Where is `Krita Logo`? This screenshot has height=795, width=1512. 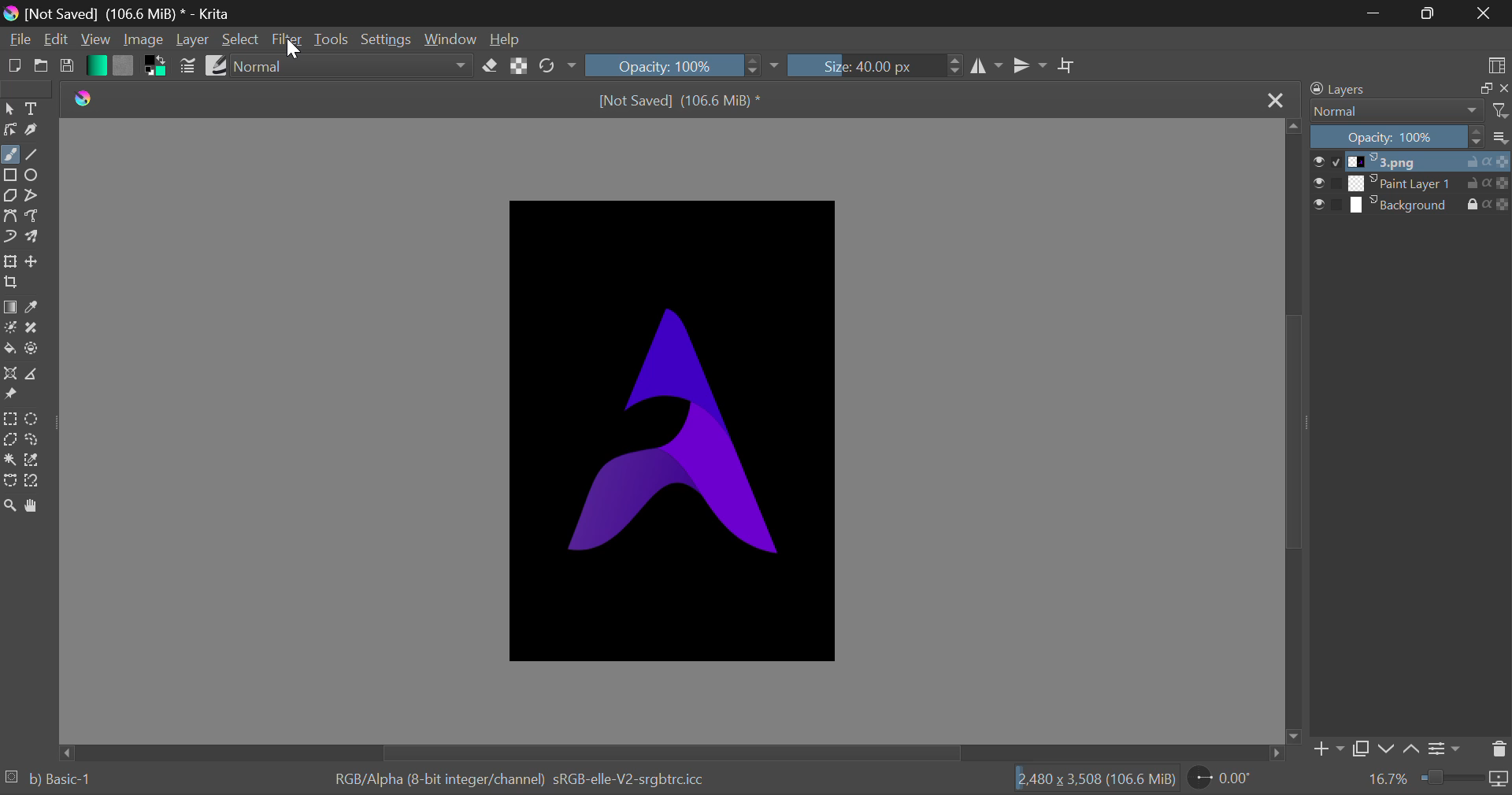 Krita Logo is located at coordinates (83, 97).